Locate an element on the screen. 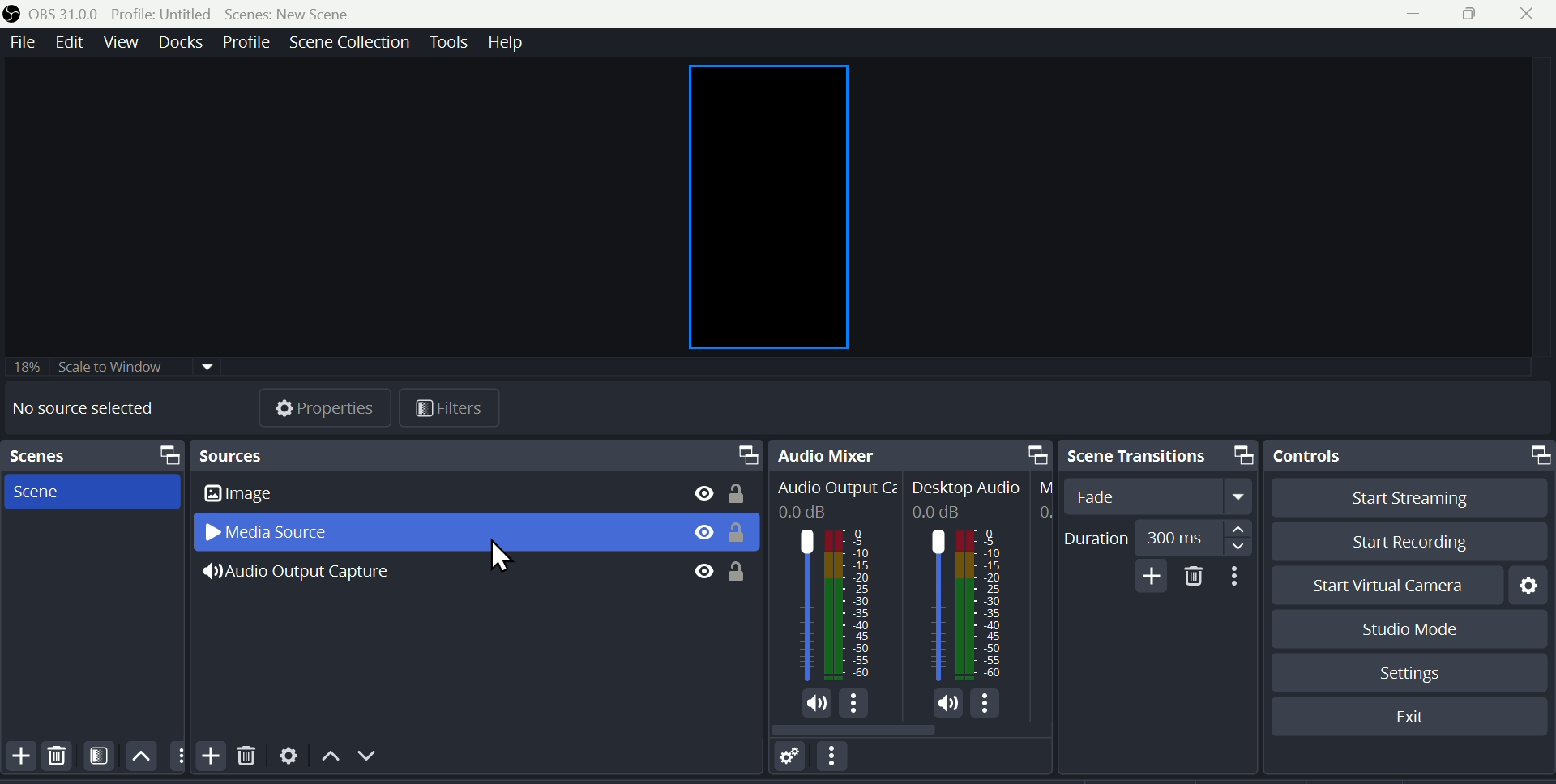  Move down is located at coordinates (361, 758).